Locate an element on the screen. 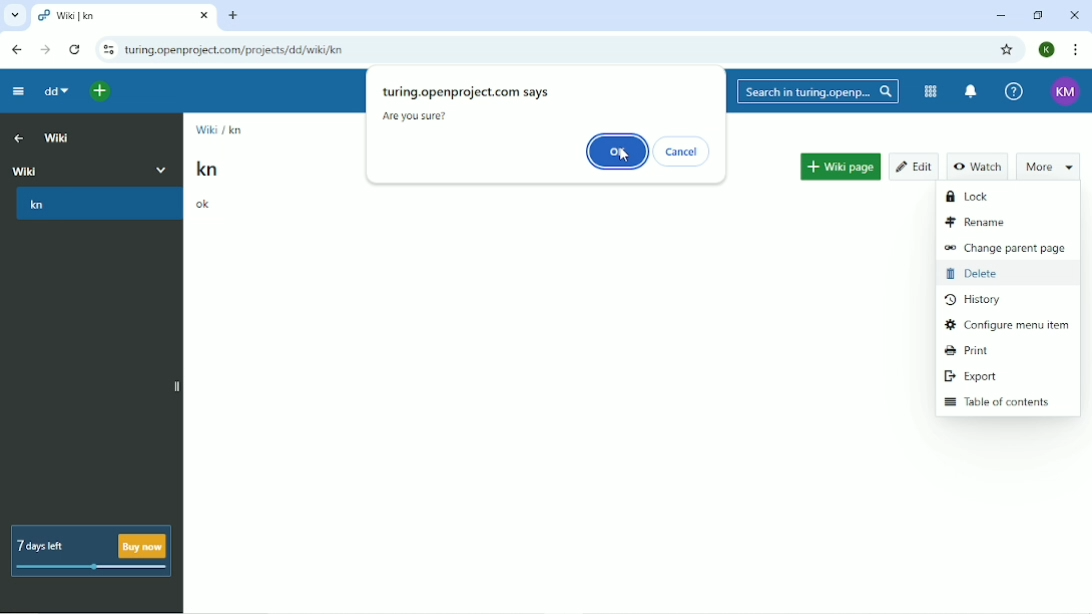 The image size is (1092, 614). kn is located at coordinates (53, 207).